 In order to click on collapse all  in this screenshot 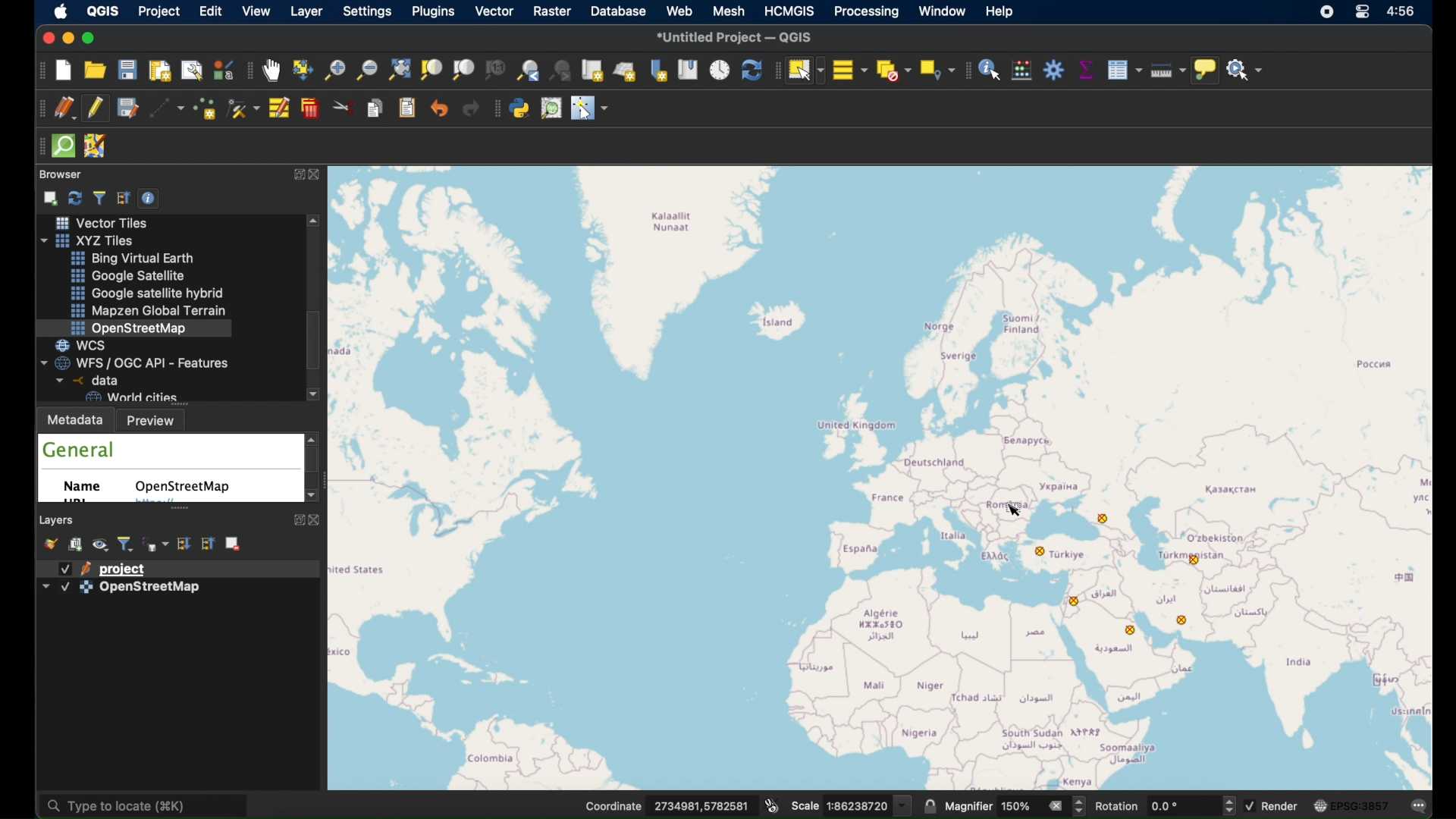, I will do `click(124, 196)`.